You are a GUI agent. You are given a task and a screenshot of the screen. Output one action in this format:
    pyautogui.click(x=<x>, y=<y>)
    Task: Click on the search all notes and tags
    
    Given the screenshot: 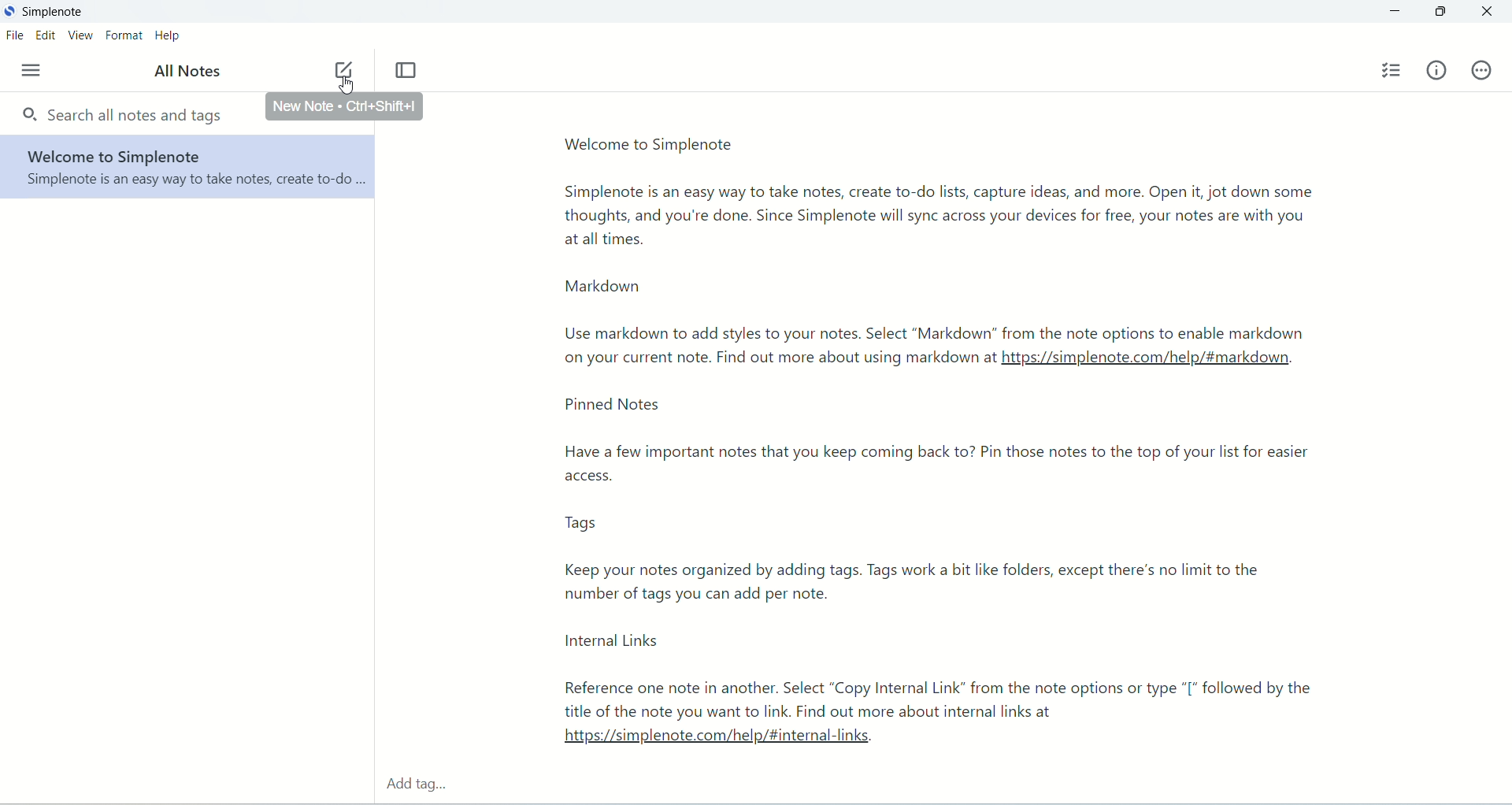 What is the action you would take?
    pyautogui.click(x=127, y=117)
    